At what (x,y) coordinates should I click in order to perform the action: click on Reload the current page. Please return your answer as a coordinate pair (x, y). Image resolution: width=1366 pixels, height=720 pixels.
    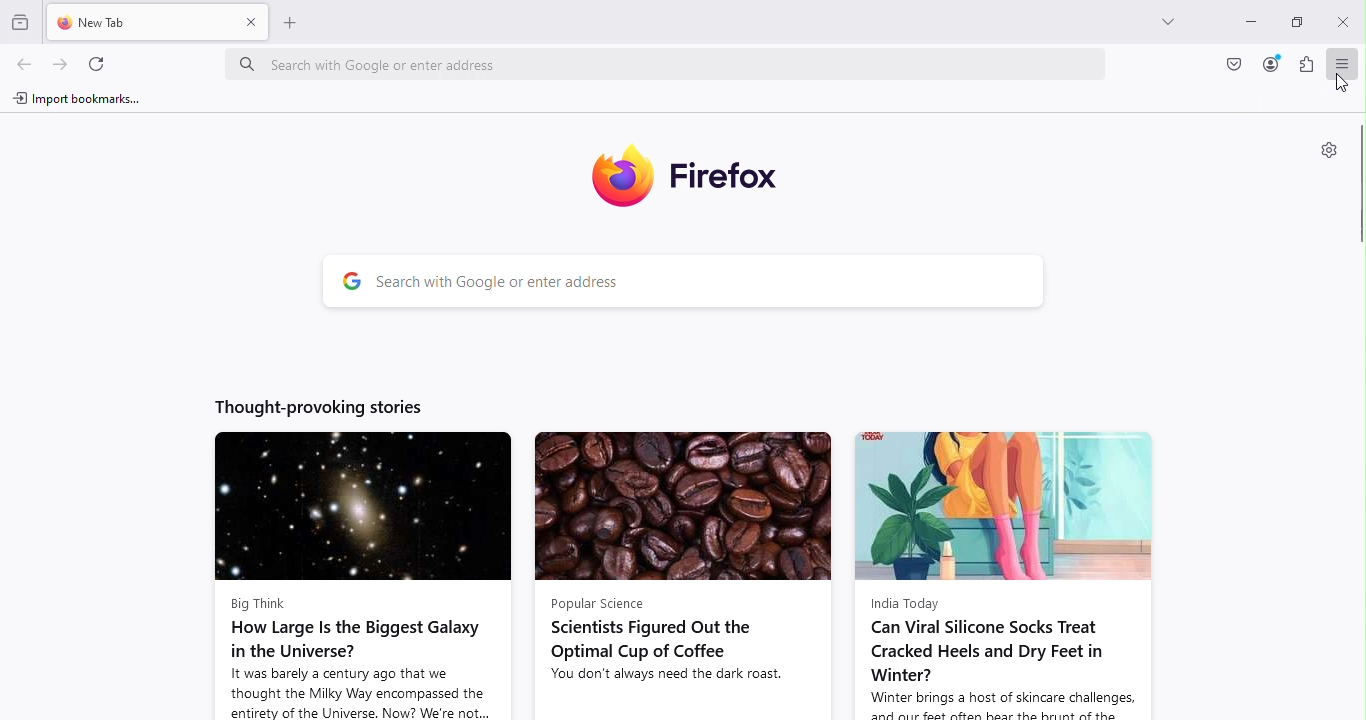
    Looking at the image, I should click on (93, 63).